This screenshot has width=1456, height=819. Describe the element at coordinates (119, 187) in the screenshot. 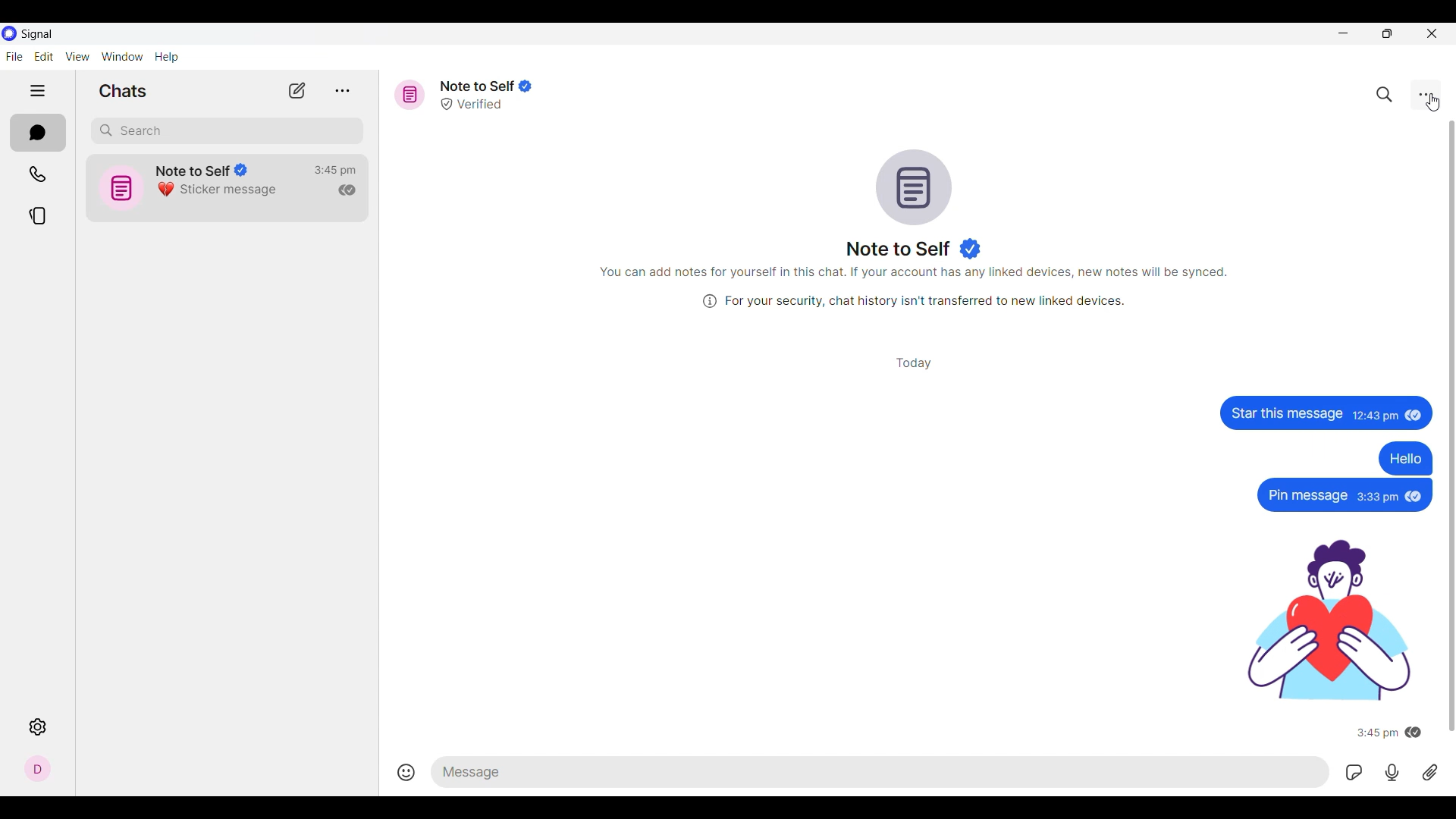

I see `icon` at that location.